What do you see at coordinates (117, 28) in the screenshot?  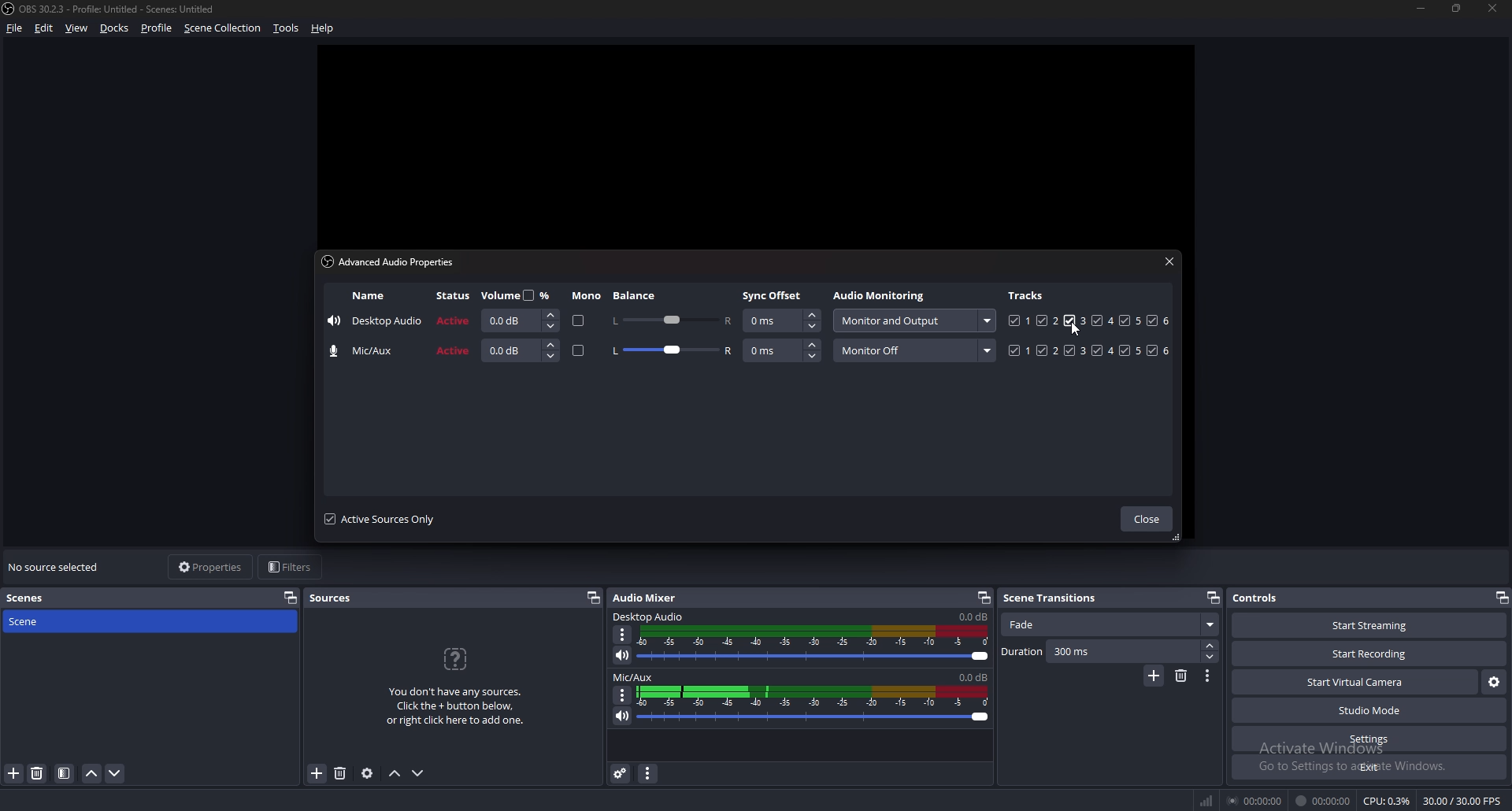 I see `docks` at bounding box center [117, 28].